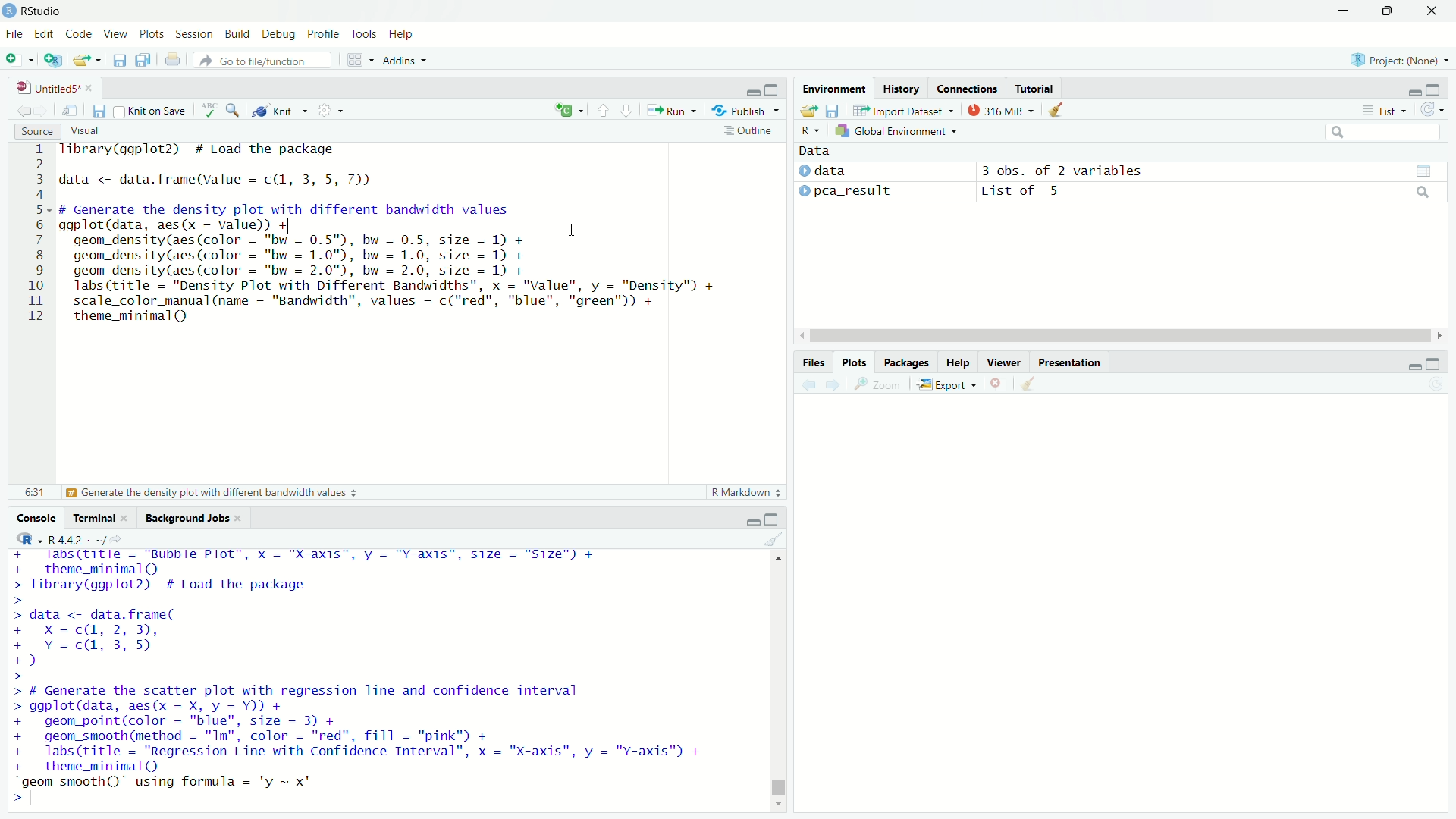 The width and height of the screenshot is (1456, 819). What do you see at coordinates (1414, 366) in the screenshot?
I see `minimize` at bounding box center [1414, 366].